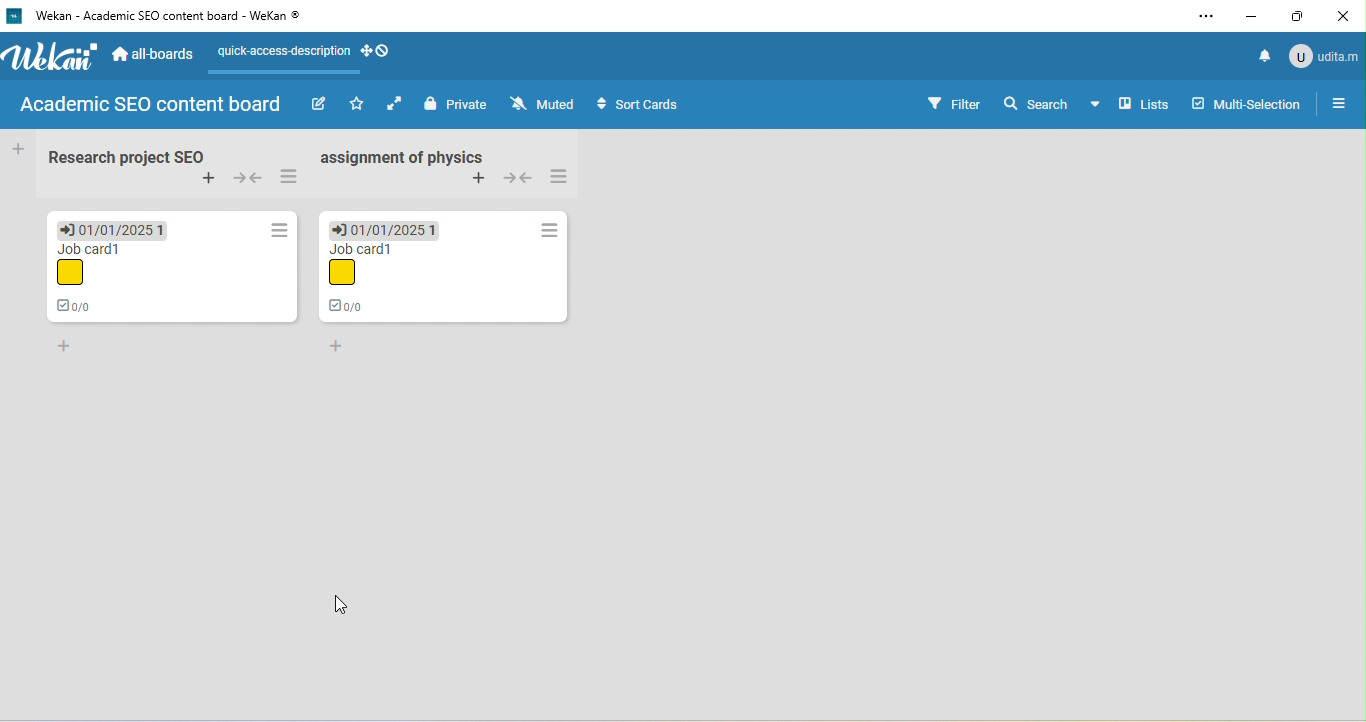 The image size is (1366, 722). What do you see at coordinates (342, 603) in the screenshot?
I see `cursor movement` at bounding box center [342, 603].